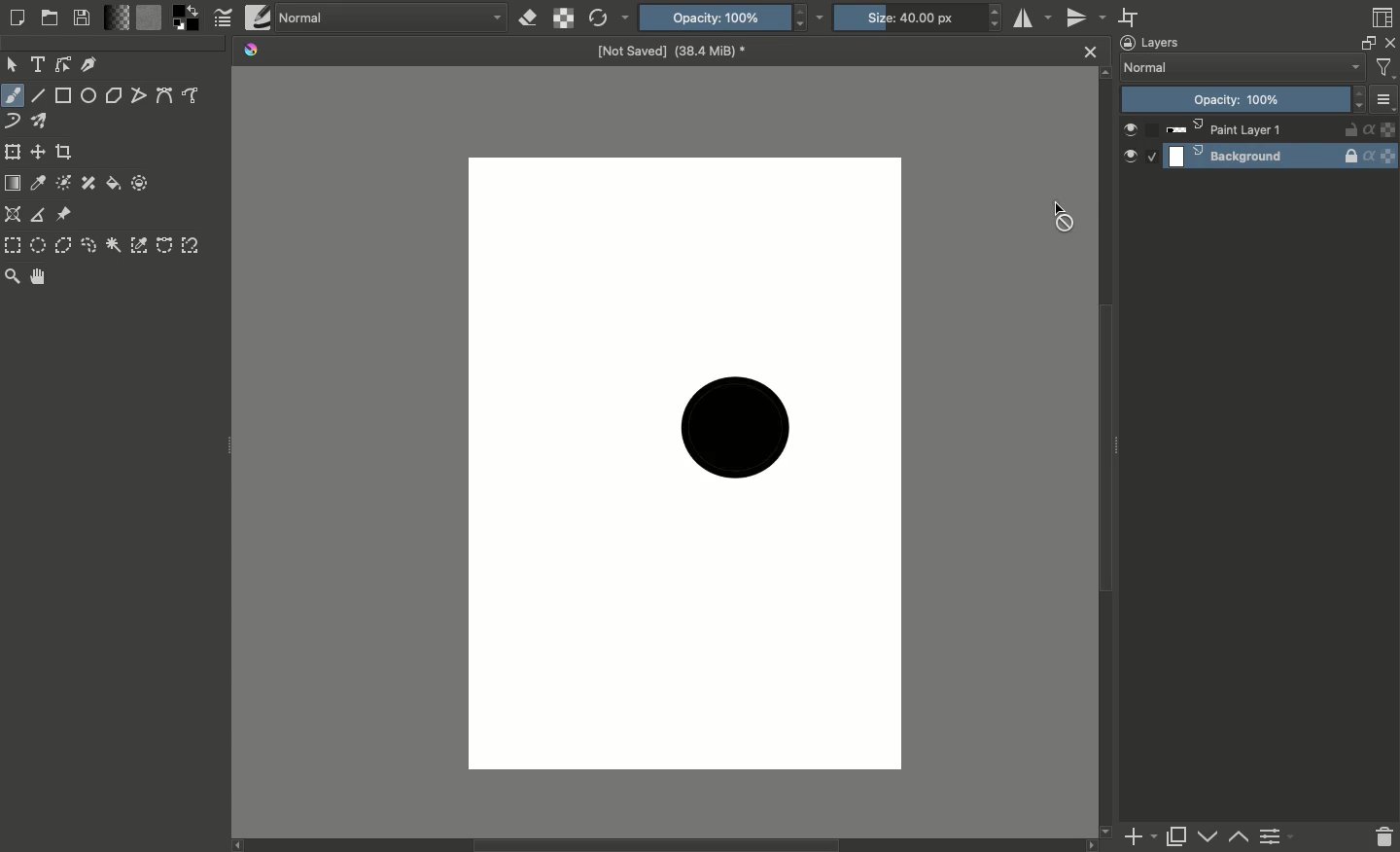  Describe the element at coordinates (90, 185) in the screenshot. I see `Smart patch tool` at that location.